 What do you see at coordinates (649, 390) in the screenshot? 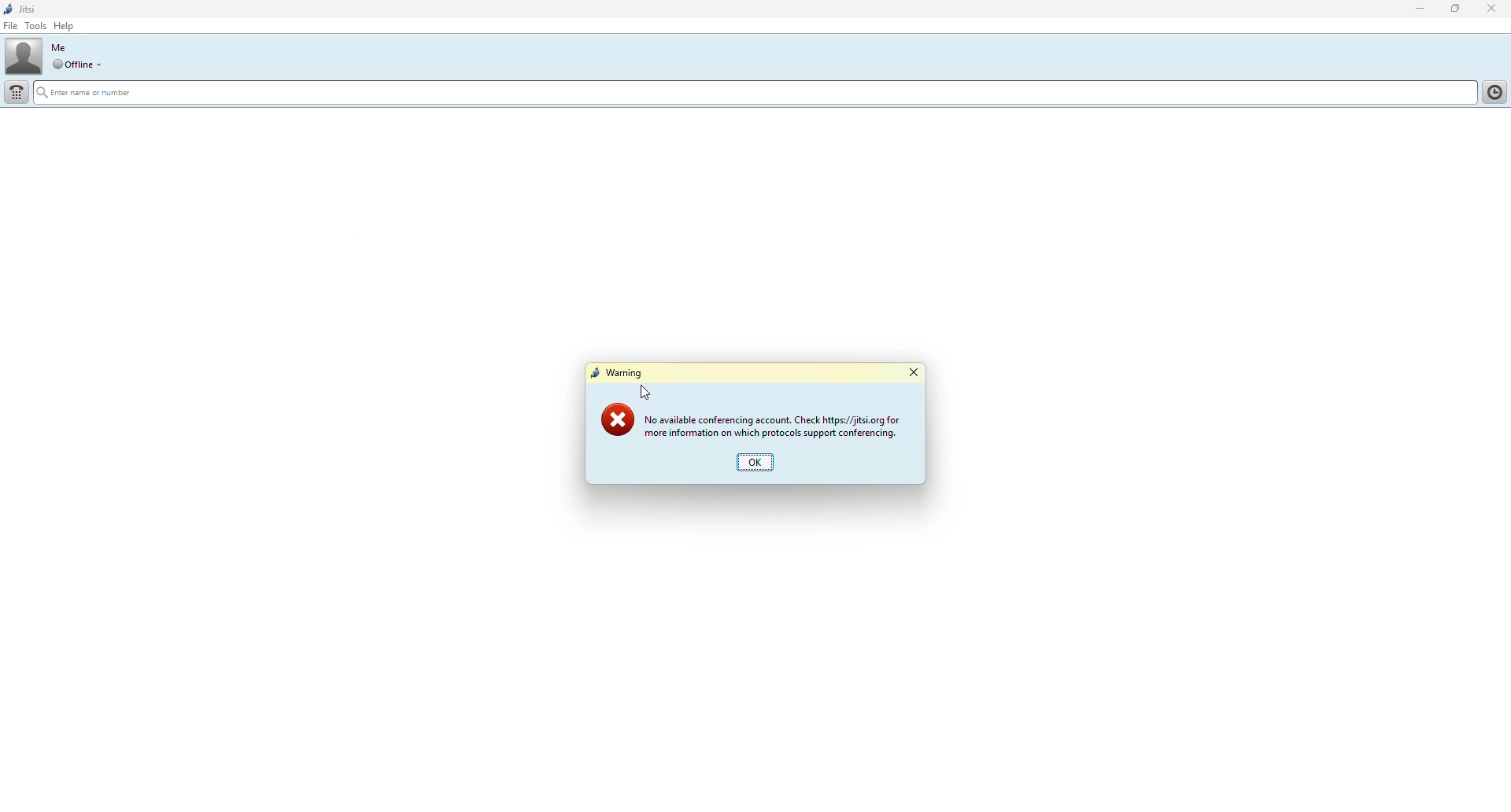
I see `cursor` at bounding box center [649, 390].